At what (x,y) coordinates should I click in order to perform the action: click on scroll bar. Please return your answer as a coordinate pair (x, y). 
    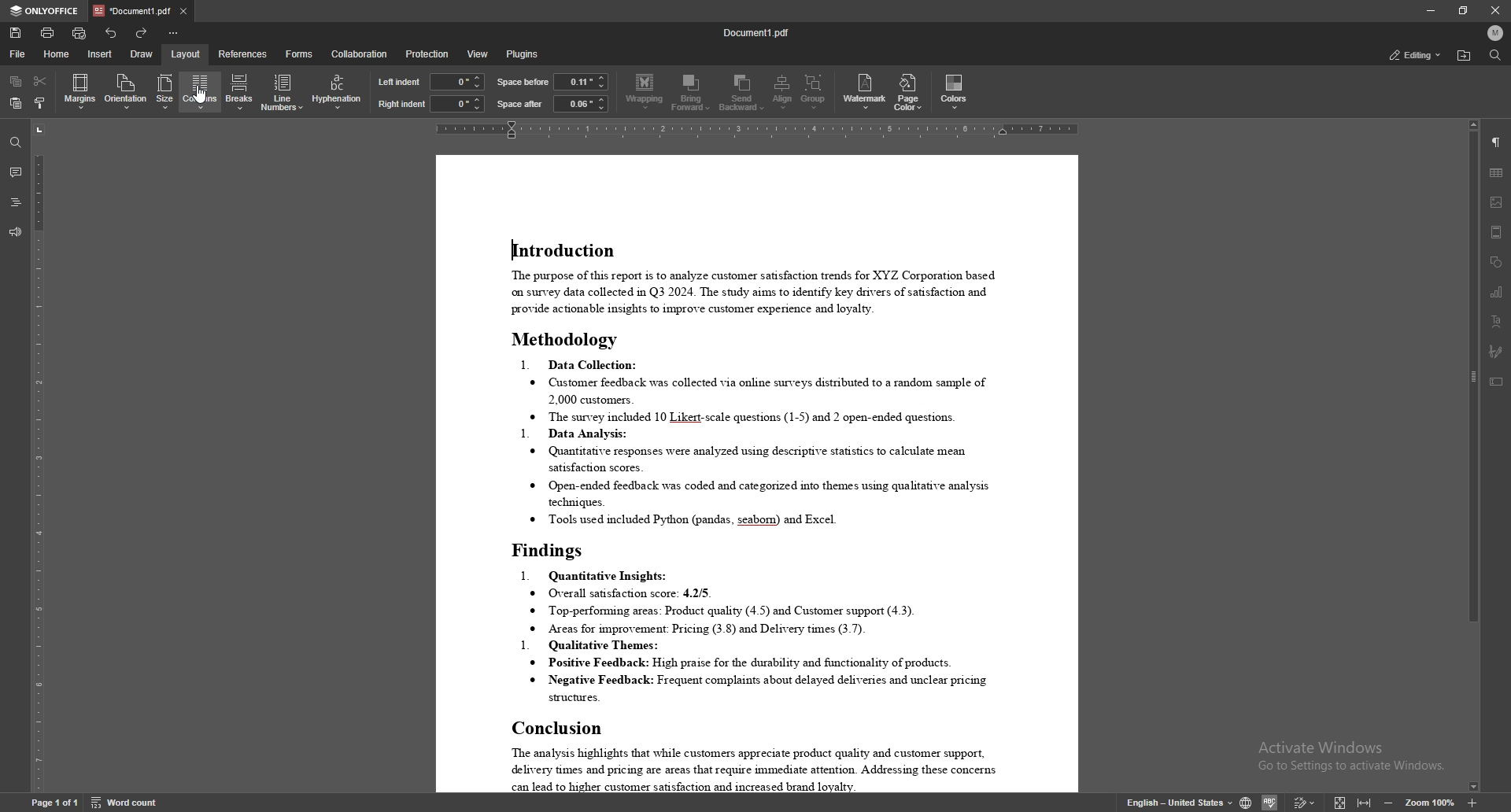
    Looking at the image, I should click on (1470, 456).